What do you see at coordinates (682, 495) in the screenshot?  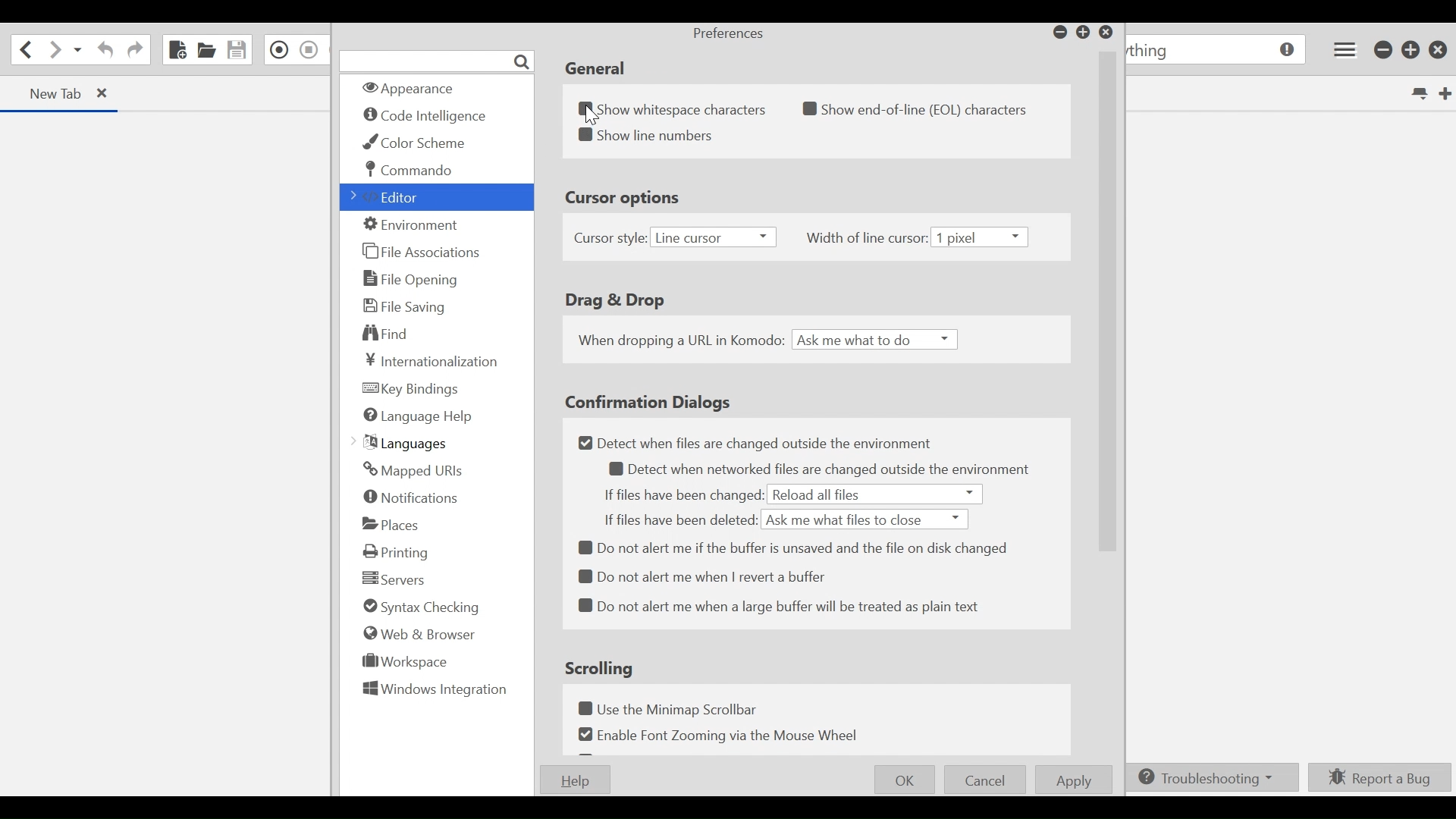 I see ` If files have been changed:` at bounding box center [682, 495].